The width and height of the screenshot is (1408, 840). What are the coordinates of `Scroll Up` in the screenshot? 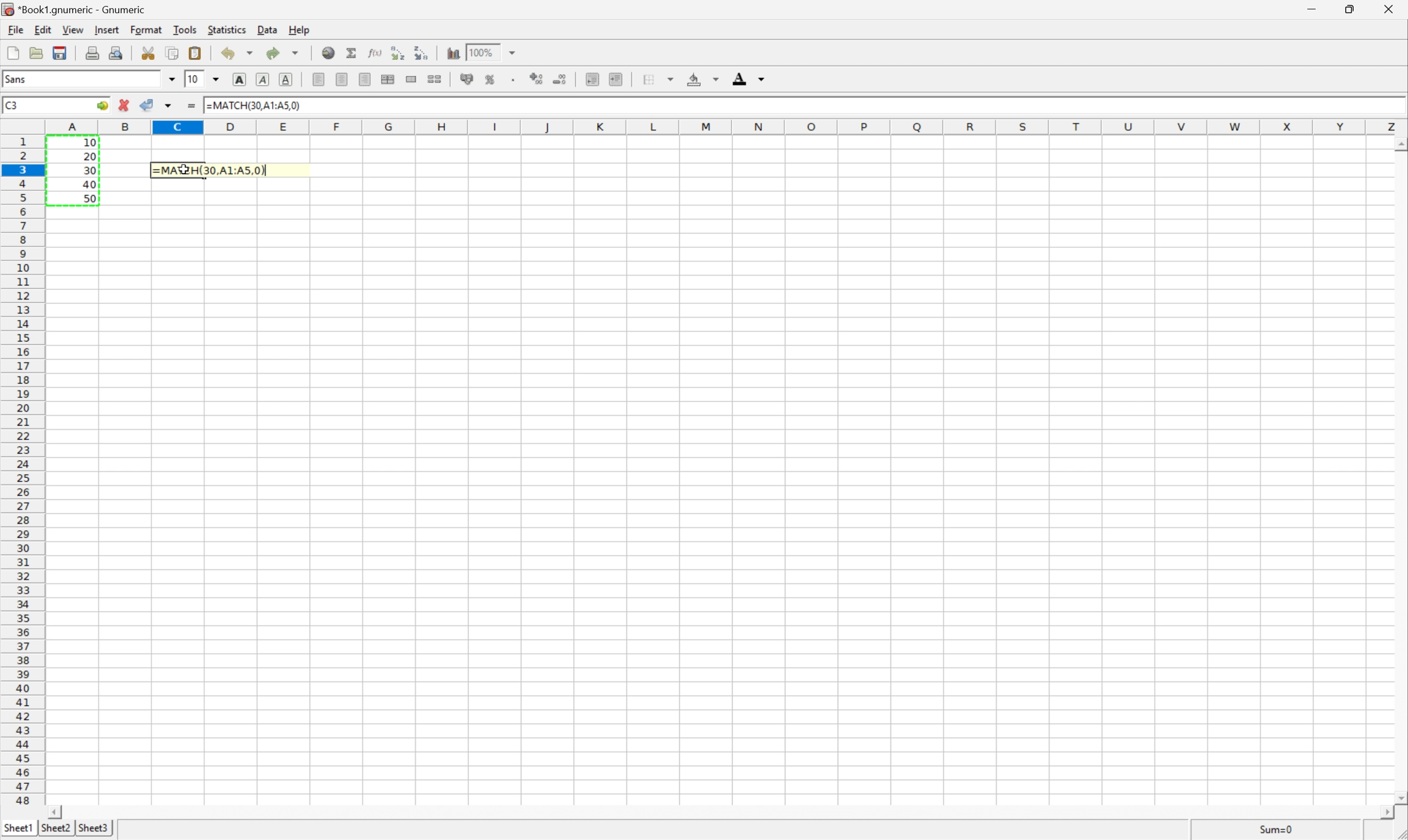 It's located at (1400, 143).